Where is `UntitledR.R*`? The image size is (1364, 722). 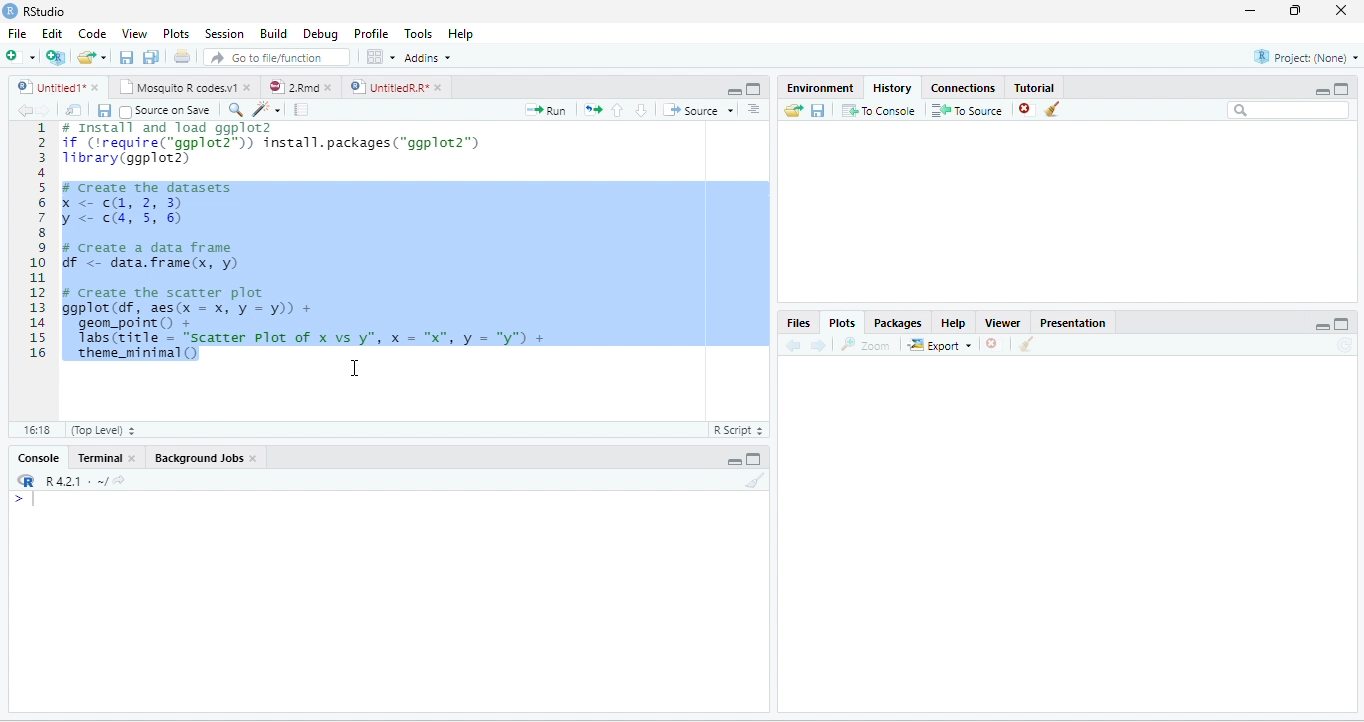 UntitledR.R* is located at coordinates (387, 87).